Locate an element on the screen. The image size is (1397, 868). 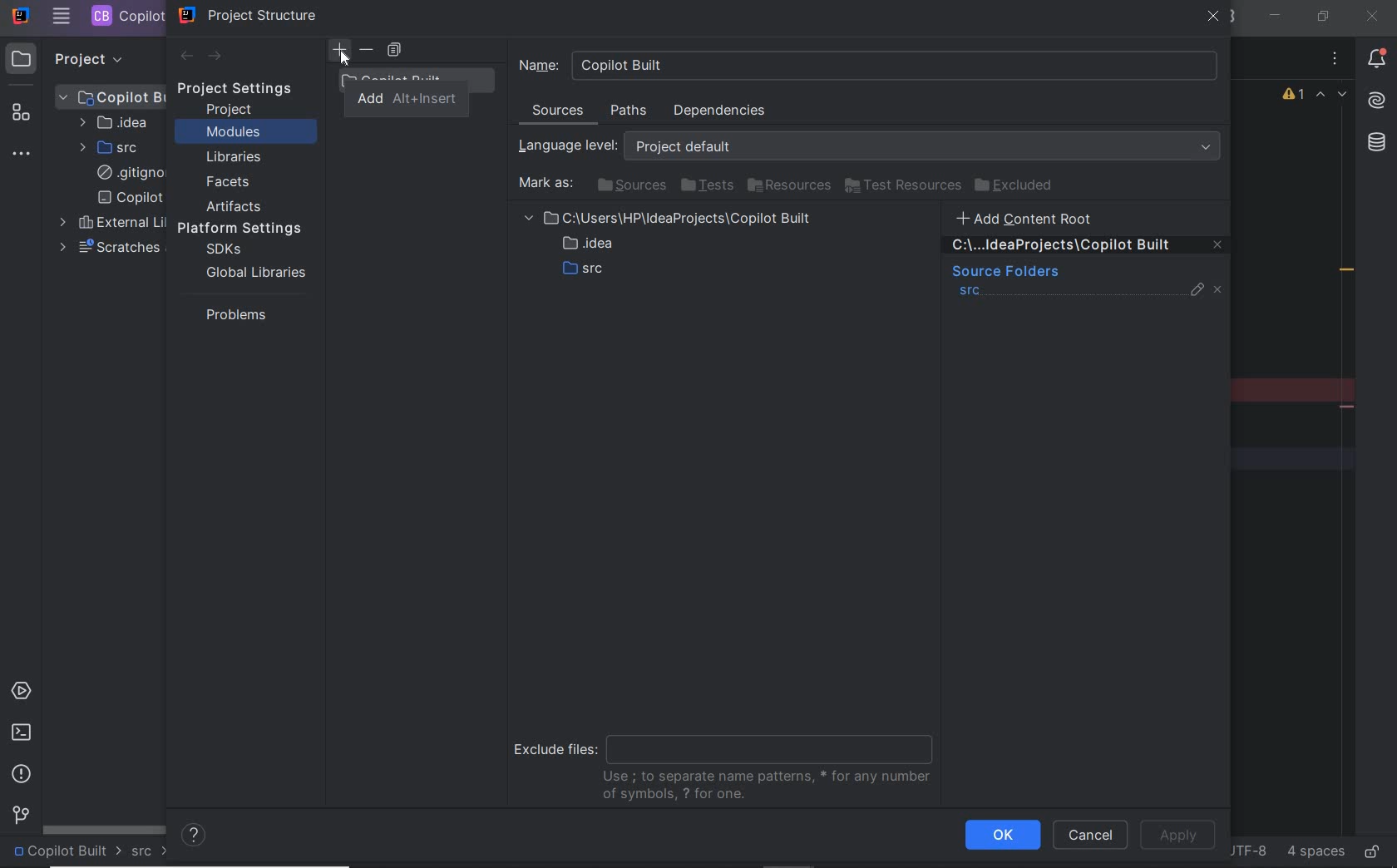
external libraries is located at coordinates (109, 223).